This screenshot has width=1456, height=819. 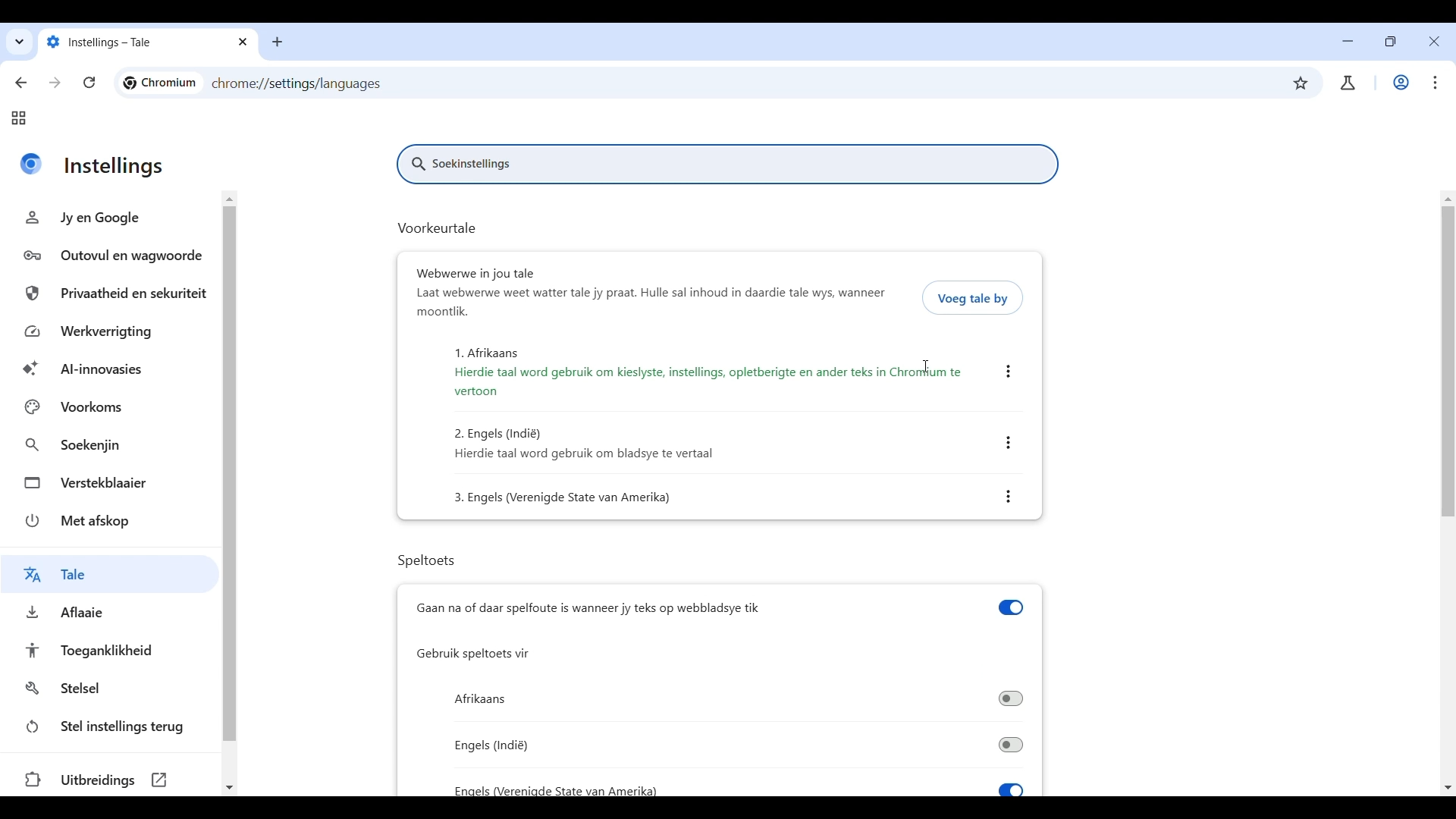 I want to click on toggle switch, so click(x=1001, y=787).